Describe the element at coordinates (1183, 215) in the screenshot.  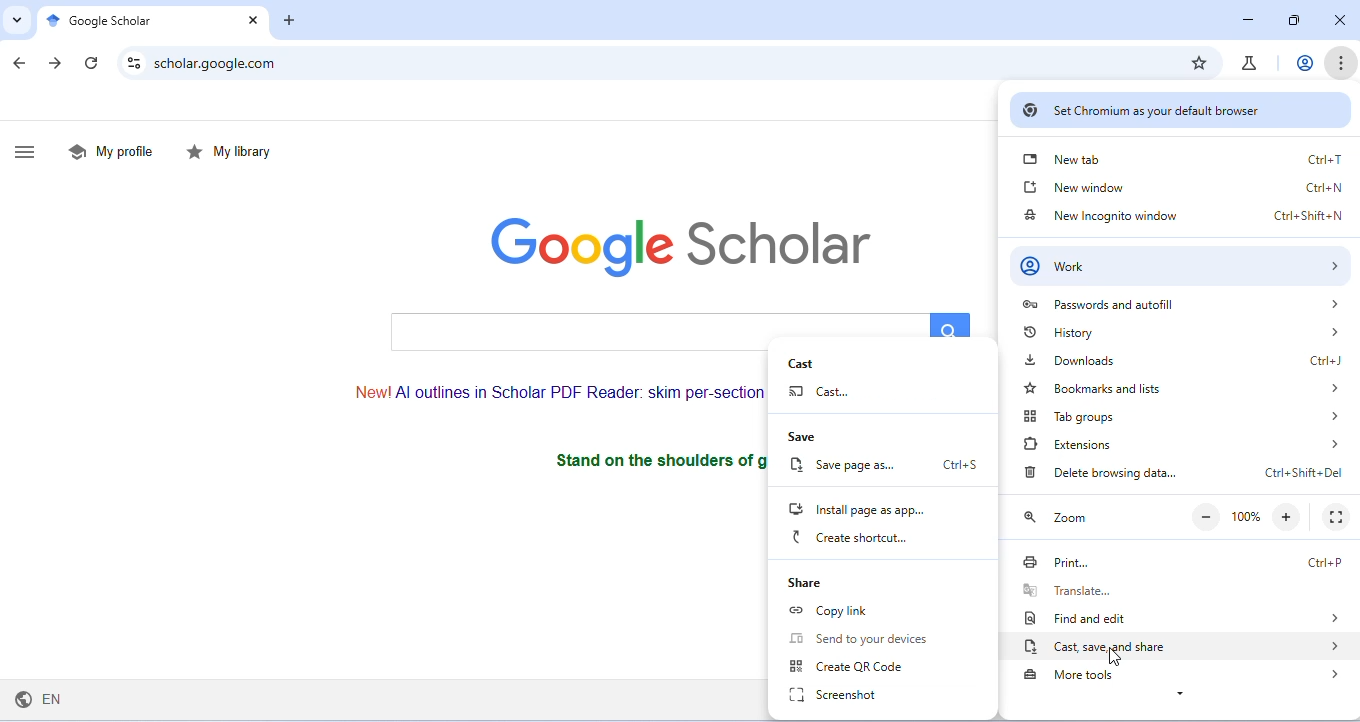
I see `new incognito window` at that location.